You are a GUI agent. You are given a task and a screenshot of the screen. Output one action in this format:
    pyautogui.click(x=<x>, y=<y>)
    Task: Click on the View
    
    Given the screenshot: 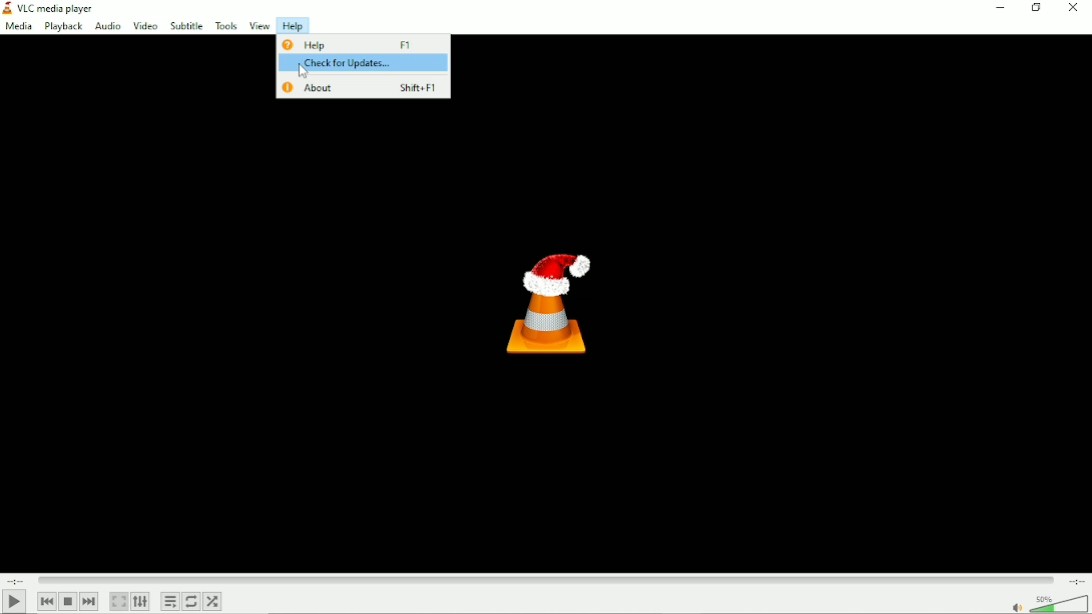 What is the action you would take?
    pyautogui.click(x=260, y=25)
    